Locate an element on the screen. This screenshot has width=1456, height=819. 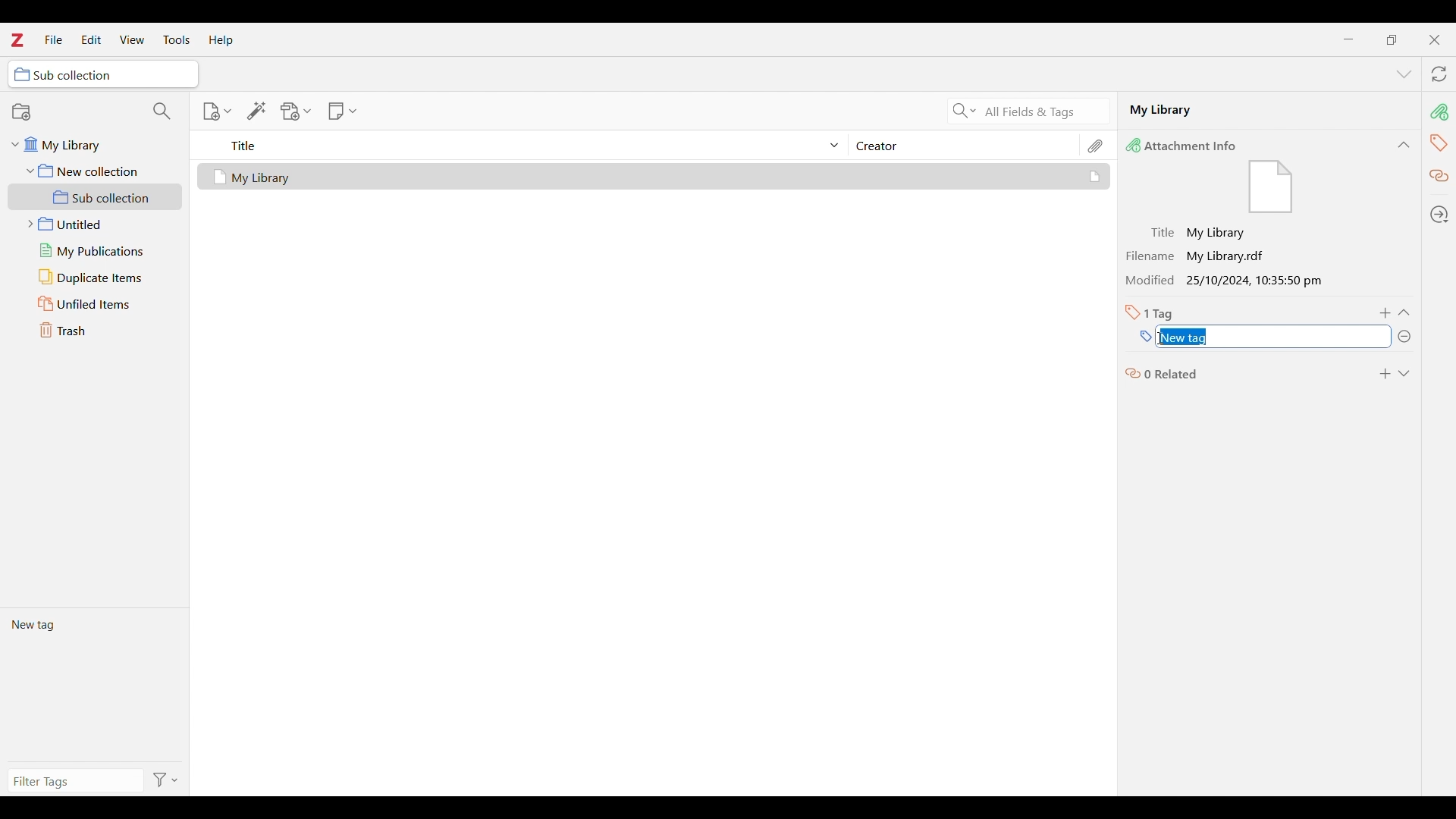
Cursor position unchanged, caps lock selected is located at coordinates (1160, 338).